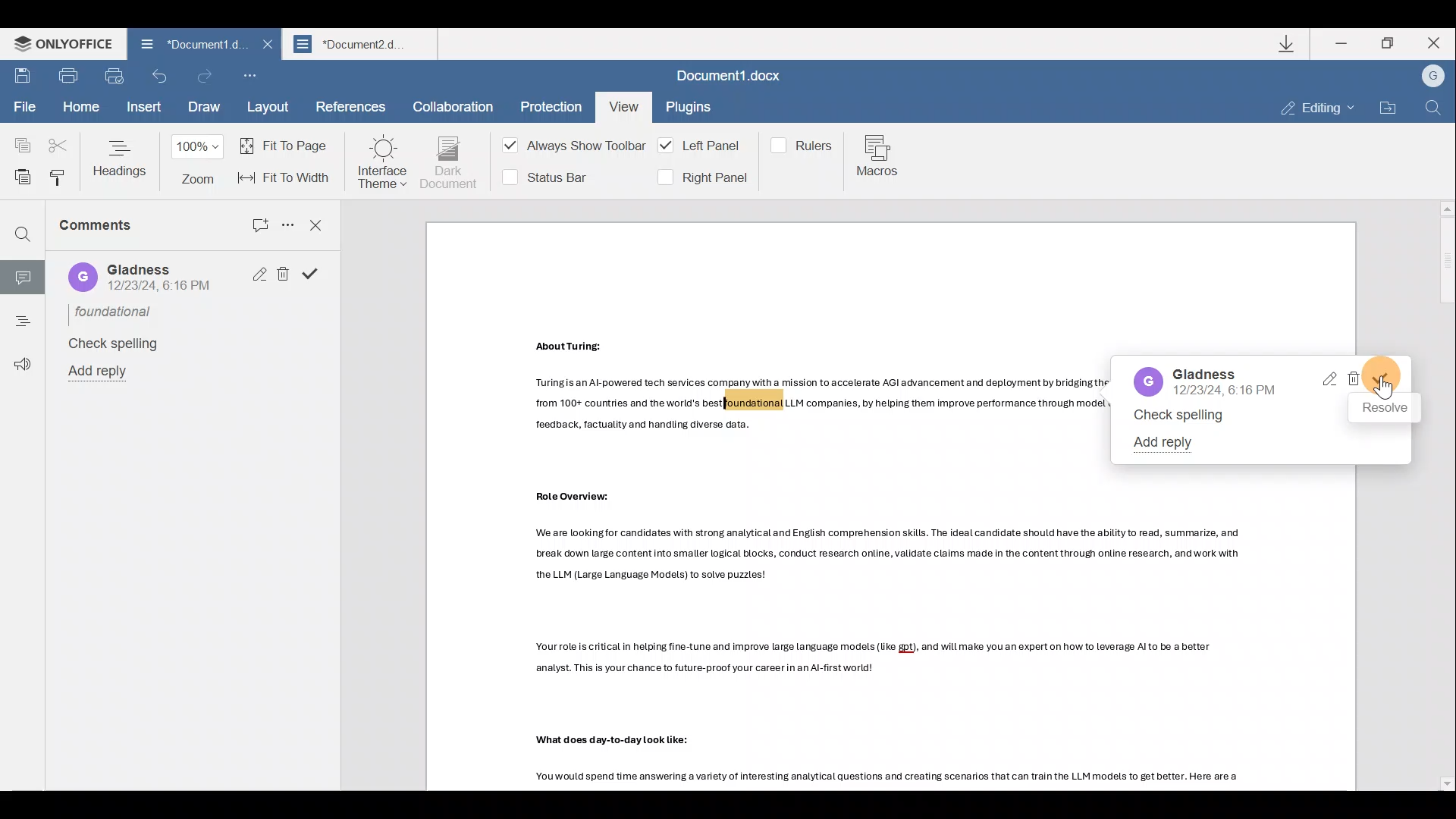 The width and height of the screenshot is (1456, 819). What do you see at coordinates (250, 221) in the screenshot?
I see `Add comment` at bounding box center [250, 221].